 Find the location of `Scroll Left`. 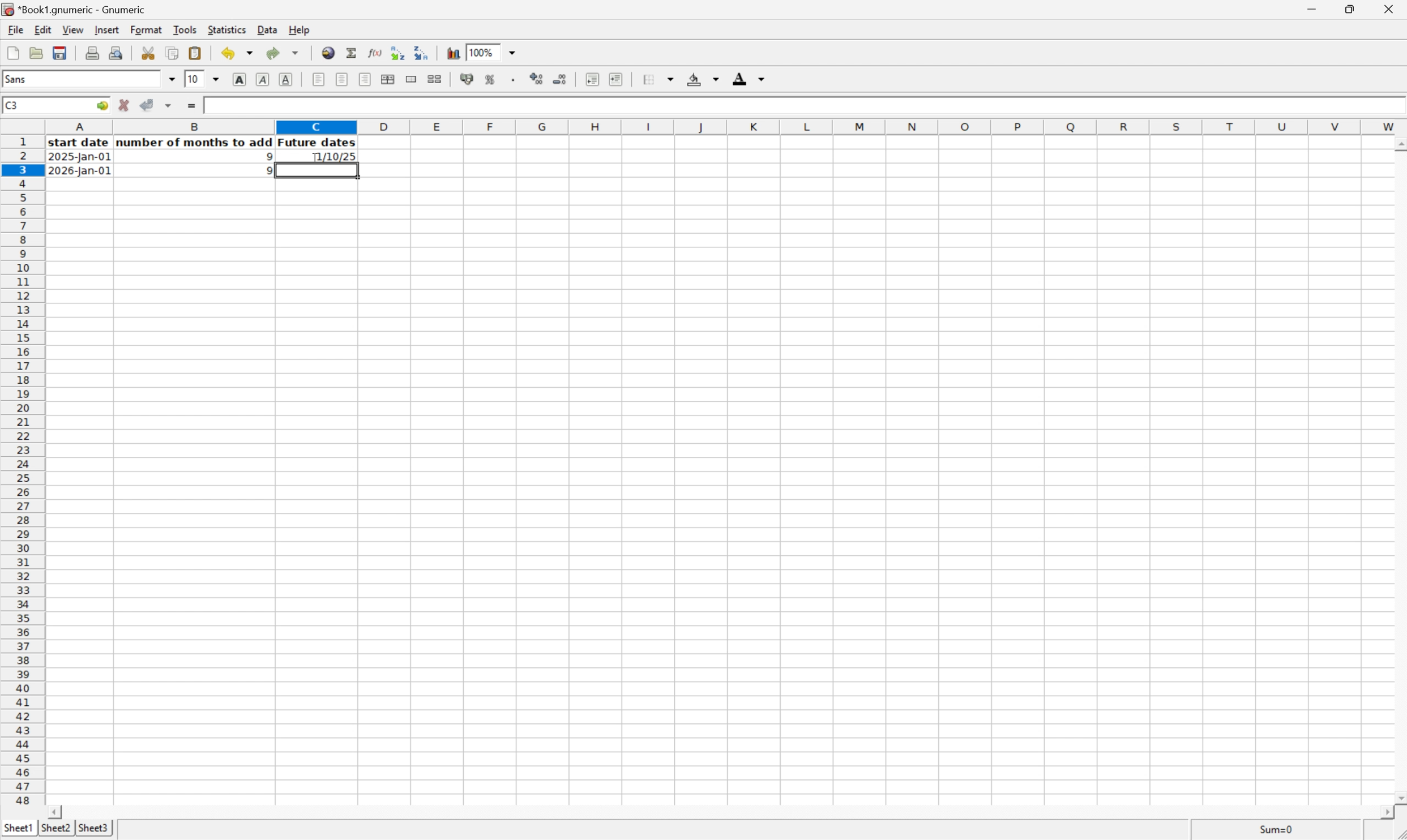

Scroll Left is located at coordinates (57, 811).